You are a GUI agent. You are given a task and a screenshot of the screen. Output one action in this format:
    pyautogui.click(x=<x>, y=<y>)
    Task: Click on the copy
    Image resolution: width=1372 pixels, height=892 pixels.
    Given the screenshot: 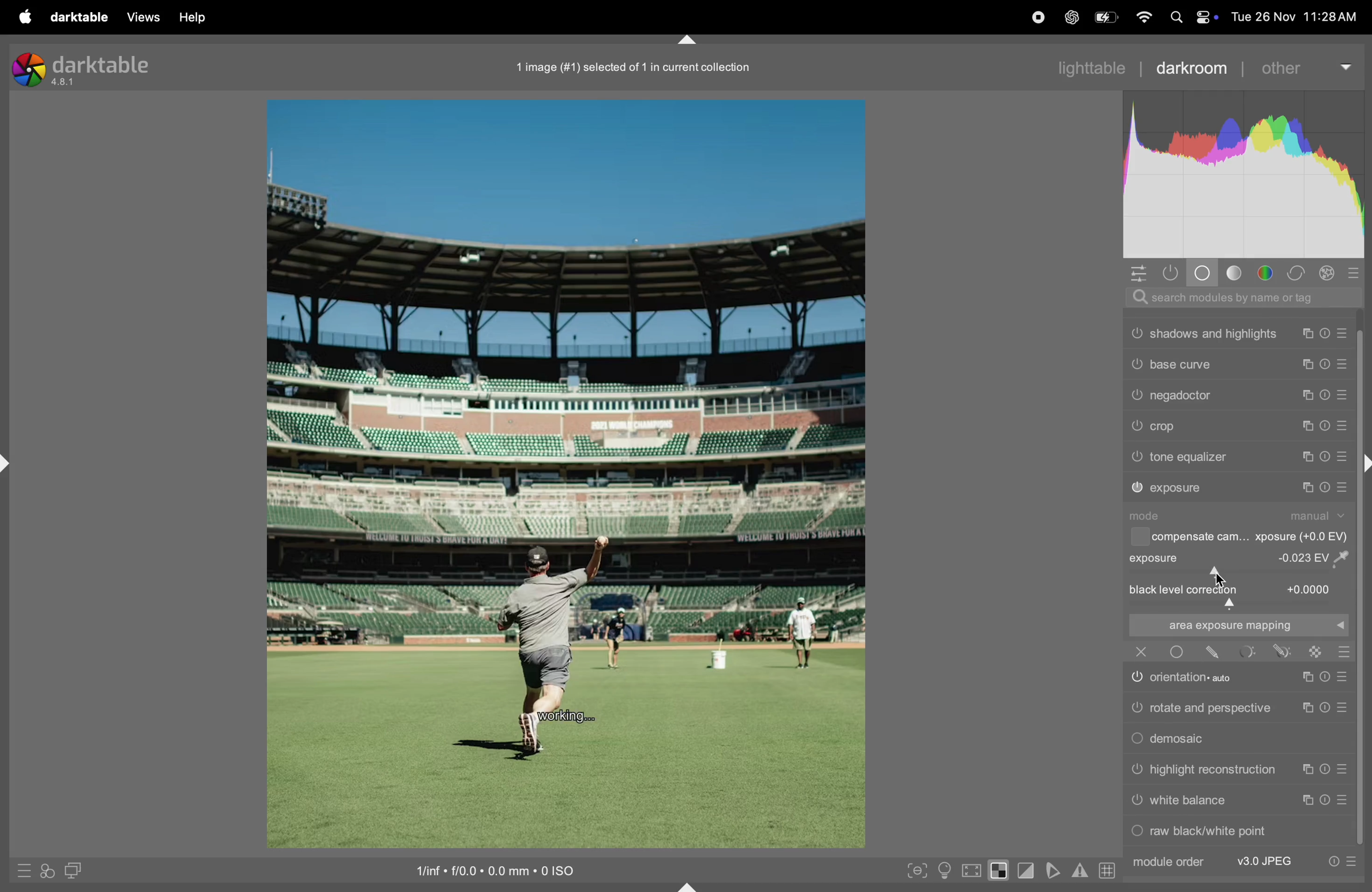 What is the action you would take?
    pyautogui.click(x=1305, y=770)
    